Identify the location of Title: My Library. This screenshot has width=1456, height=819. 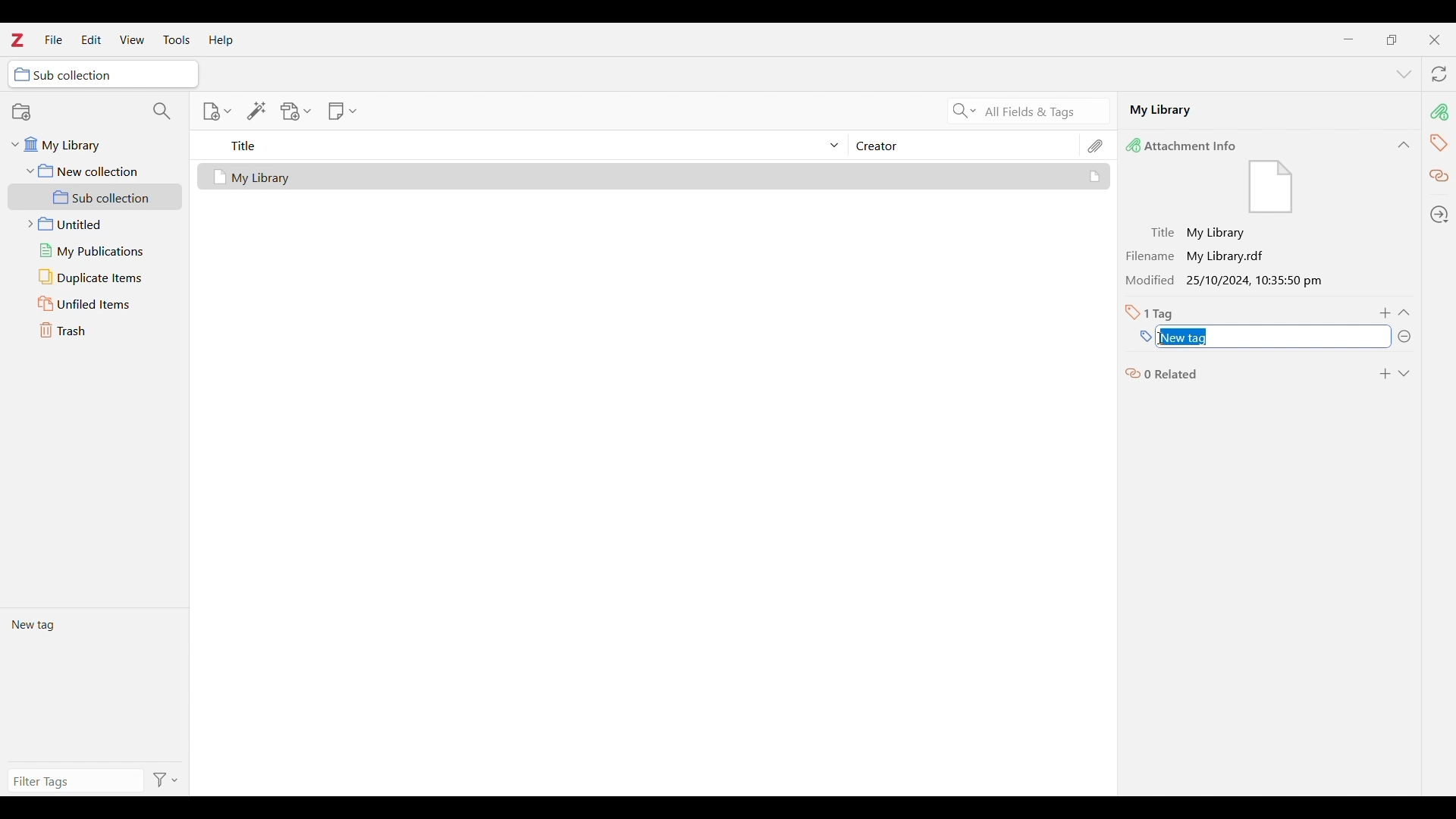
(1200, 233).